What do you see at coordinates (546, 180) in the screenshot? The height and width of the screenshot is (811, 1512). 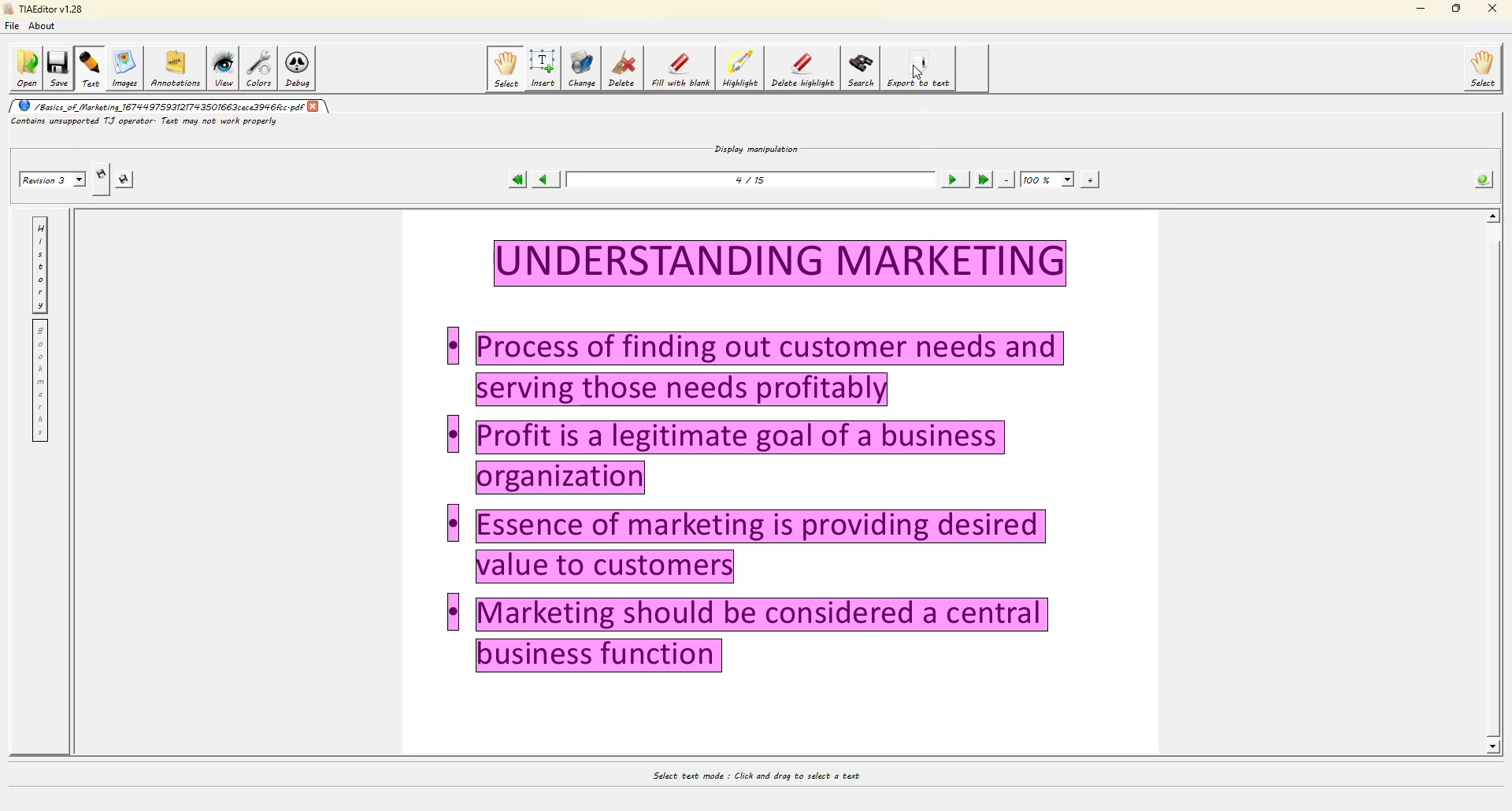 I see `previous page` at bounding box center [546, 180].